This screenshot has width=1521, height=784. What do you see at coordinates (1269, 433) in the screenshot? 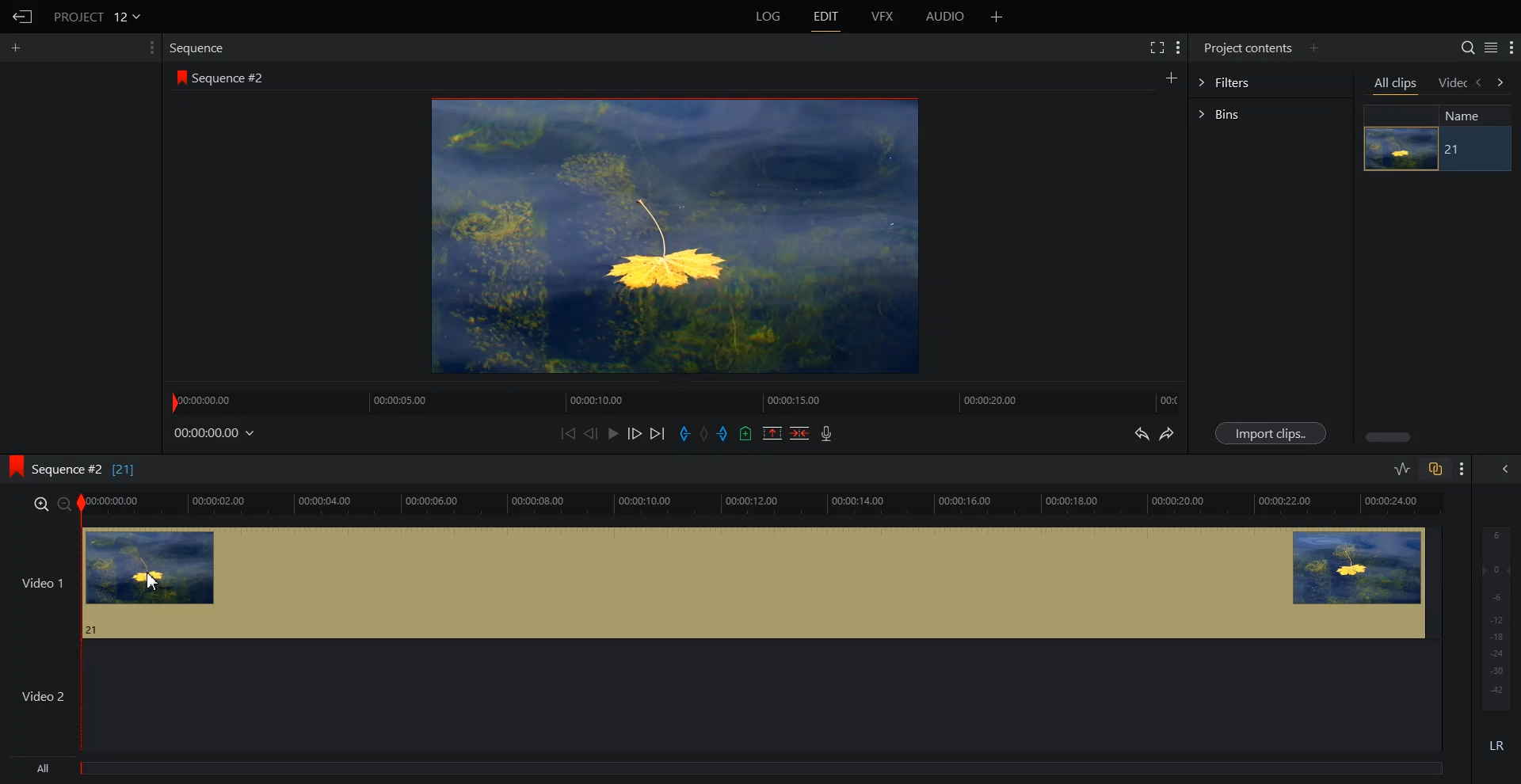
I see `Import clips` at bounding box center [1269, 433].